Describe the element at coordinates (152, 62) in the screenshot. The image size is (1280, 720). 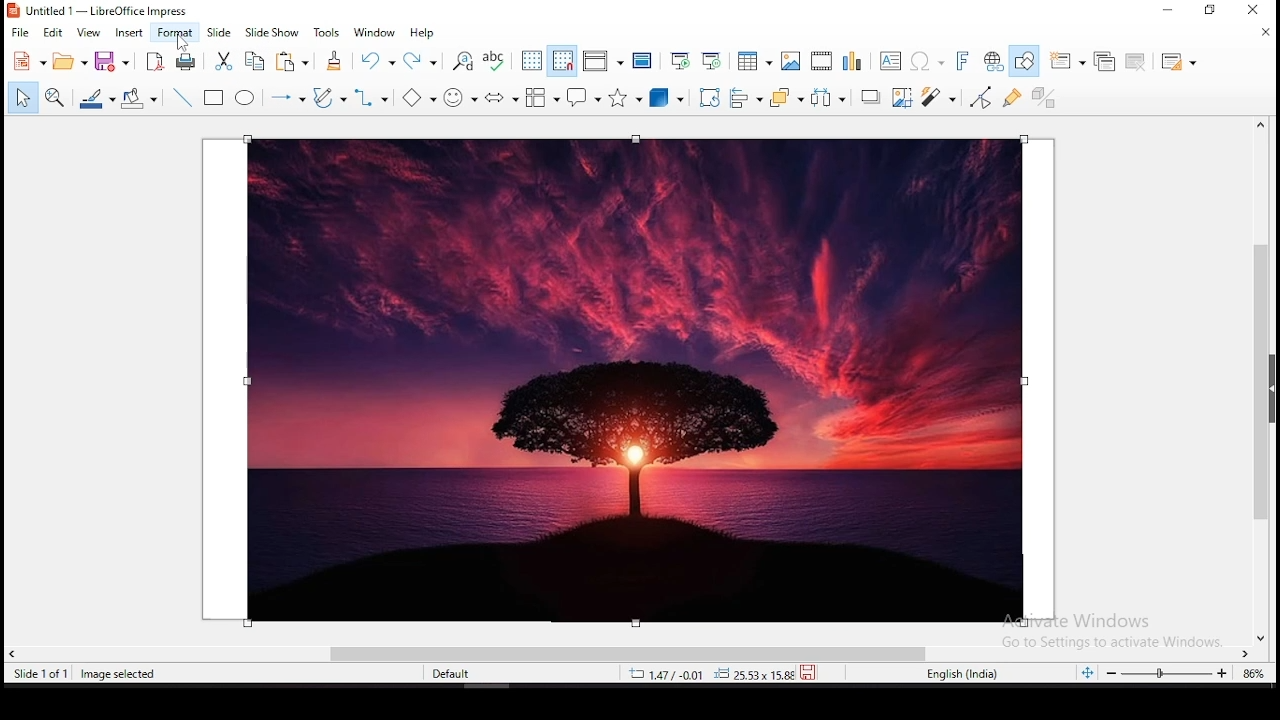
I see `export directly as pdf` at that location.